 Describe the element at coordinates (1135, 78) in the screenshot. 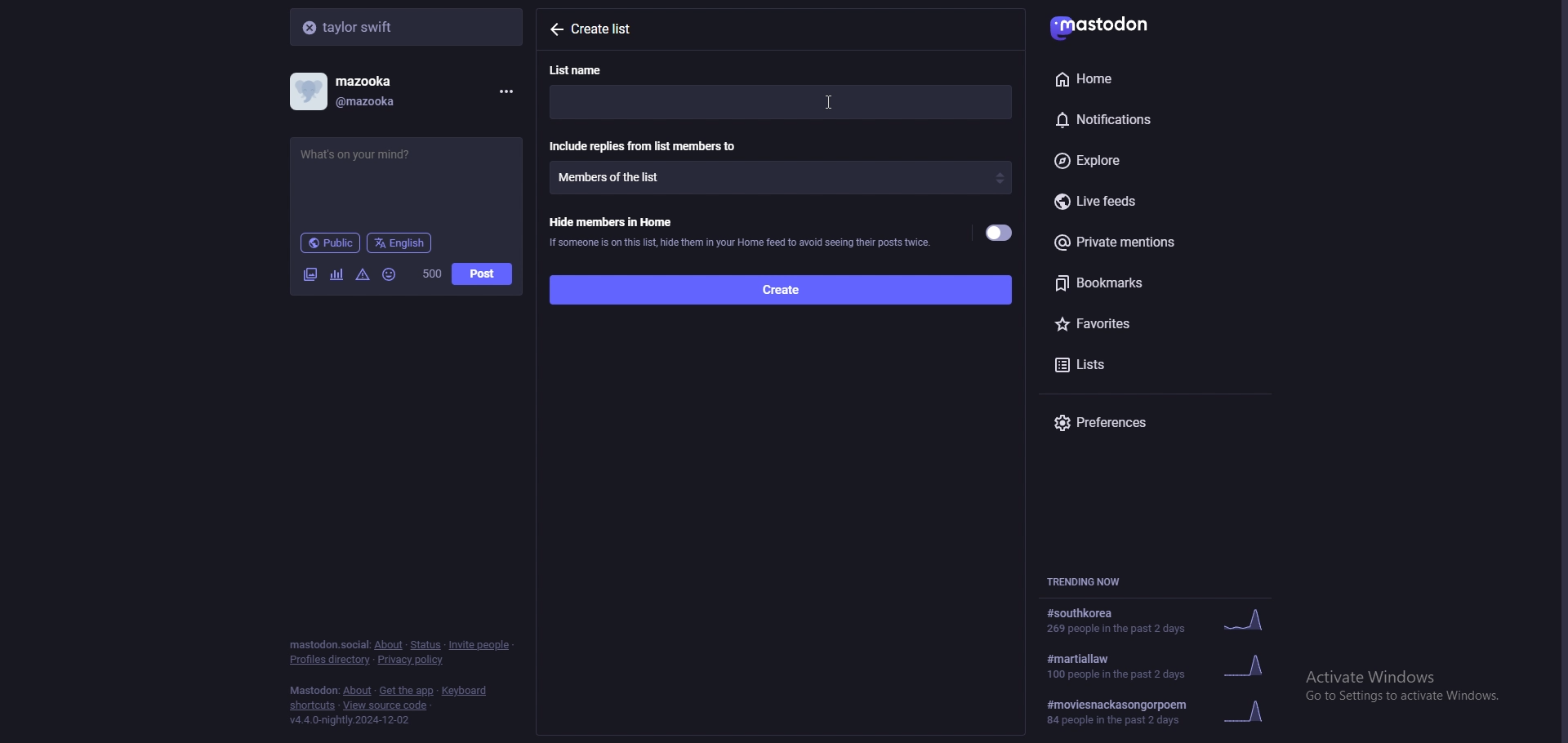

I see `home` at that location.